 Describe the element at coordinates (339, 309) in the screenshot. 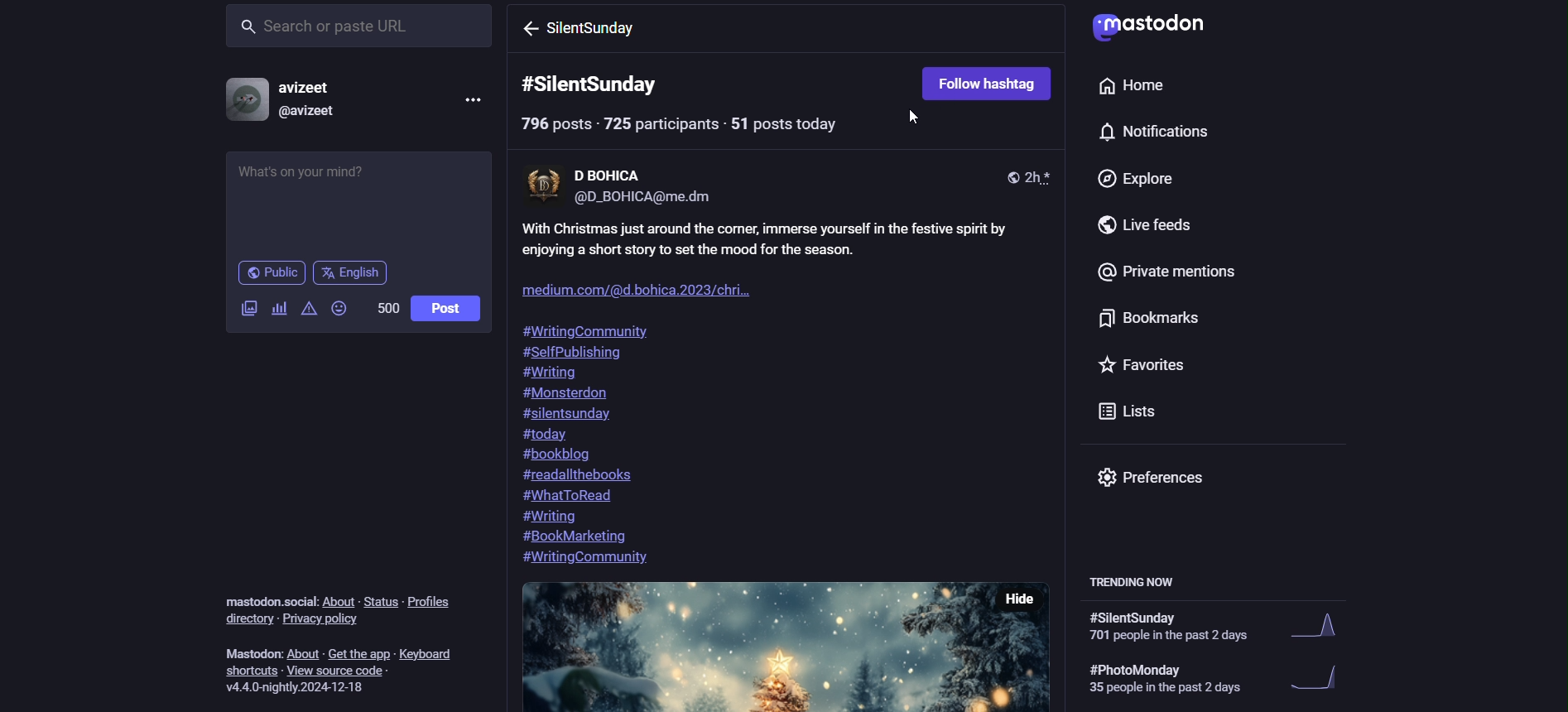

I see `add emojis` at that location.